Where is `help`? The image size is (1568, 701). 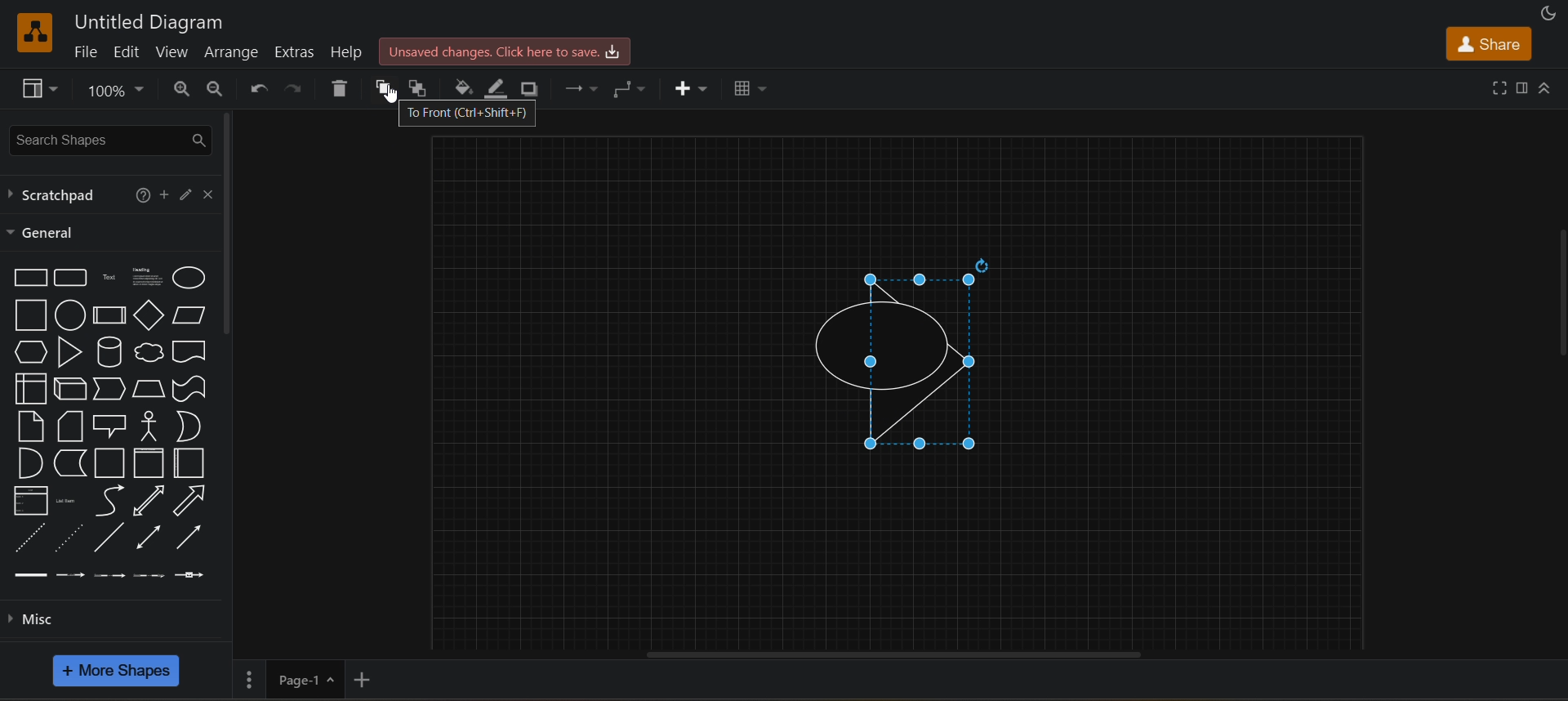
help is located at coordinates (143, 198).